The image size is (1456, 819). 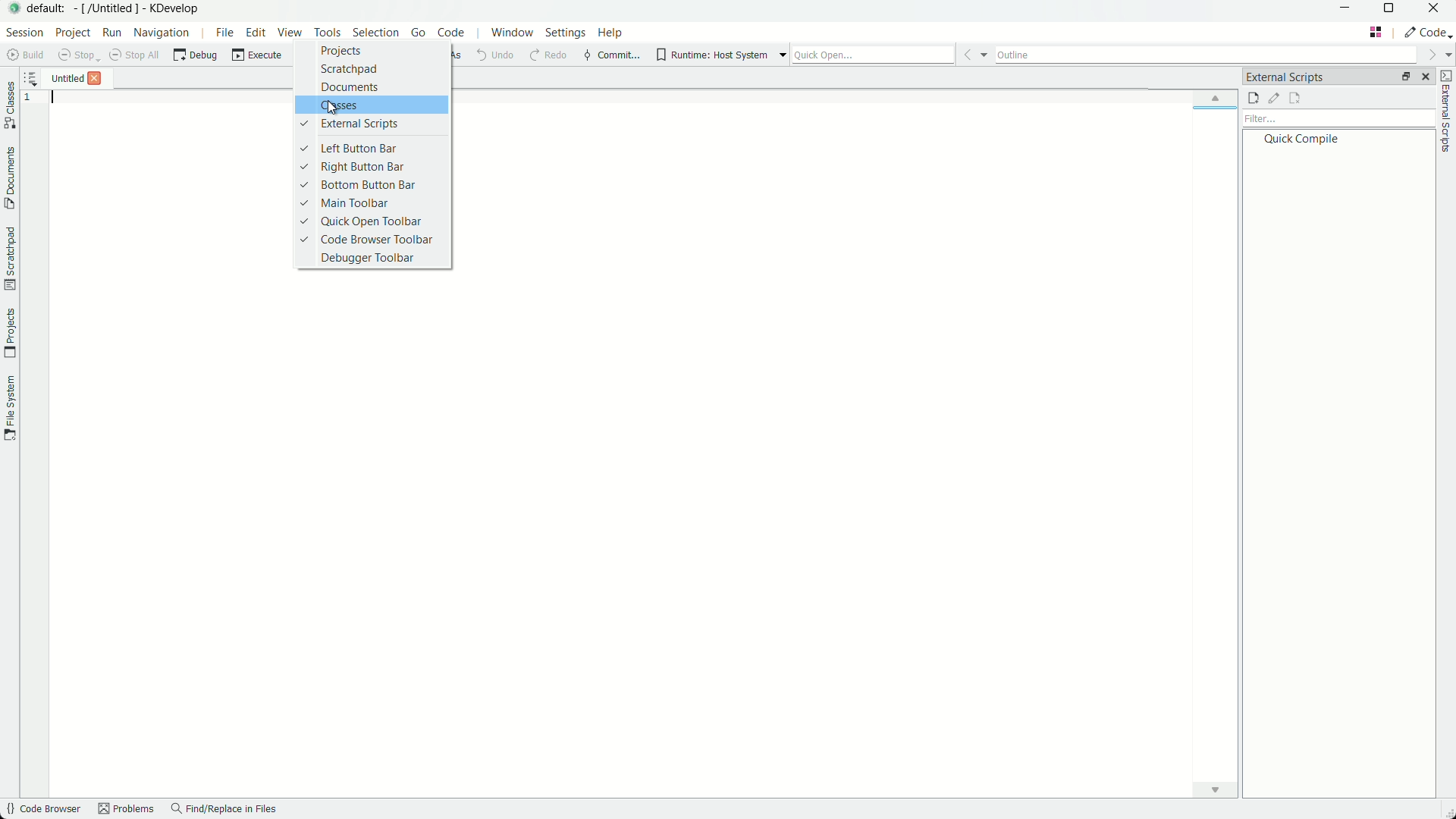 I want to click on navigation, so click(x=163, y=34).